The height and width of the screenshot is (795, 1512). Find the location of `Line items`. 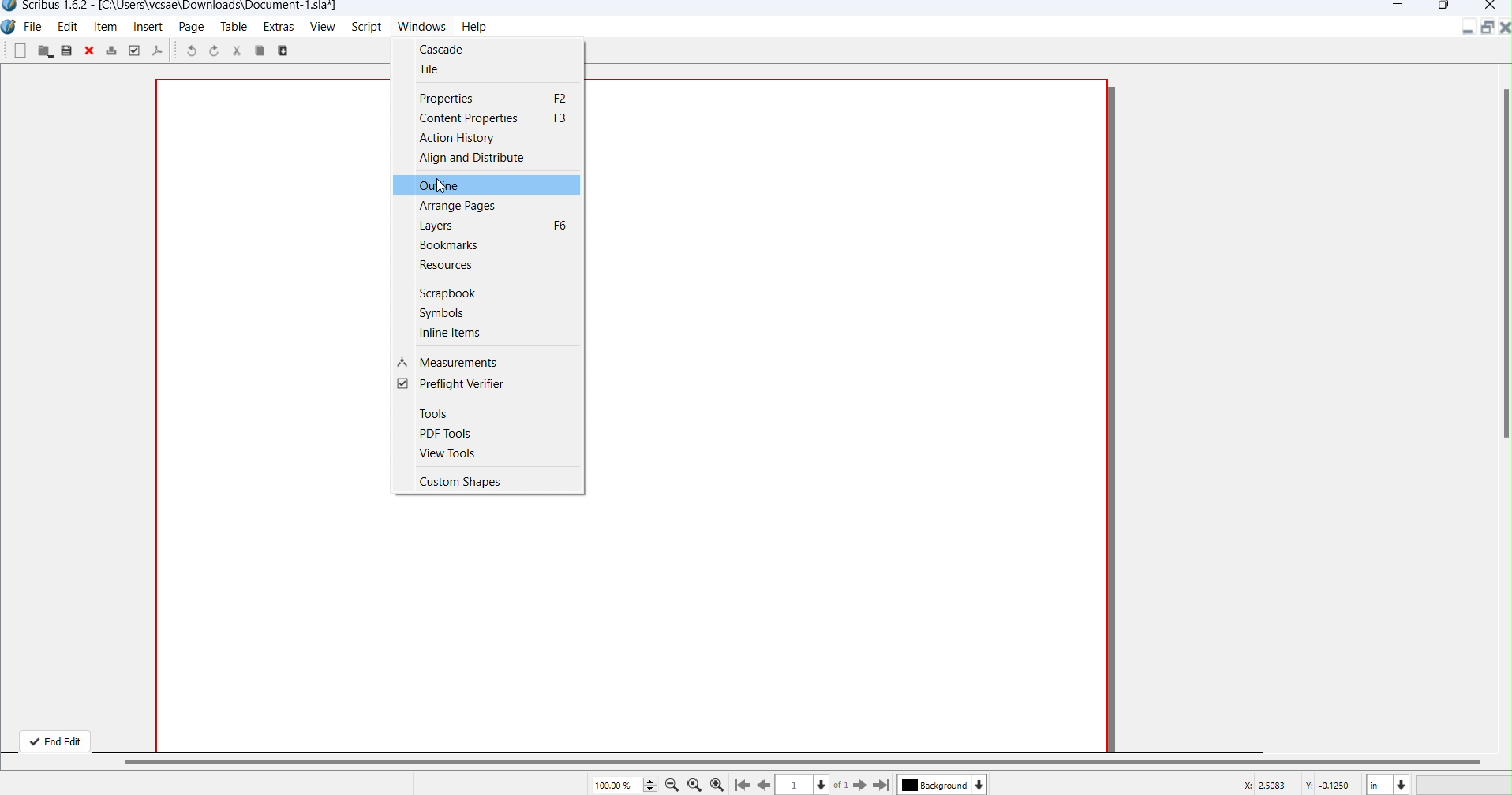

Line items is located at coordinates (448, 334).